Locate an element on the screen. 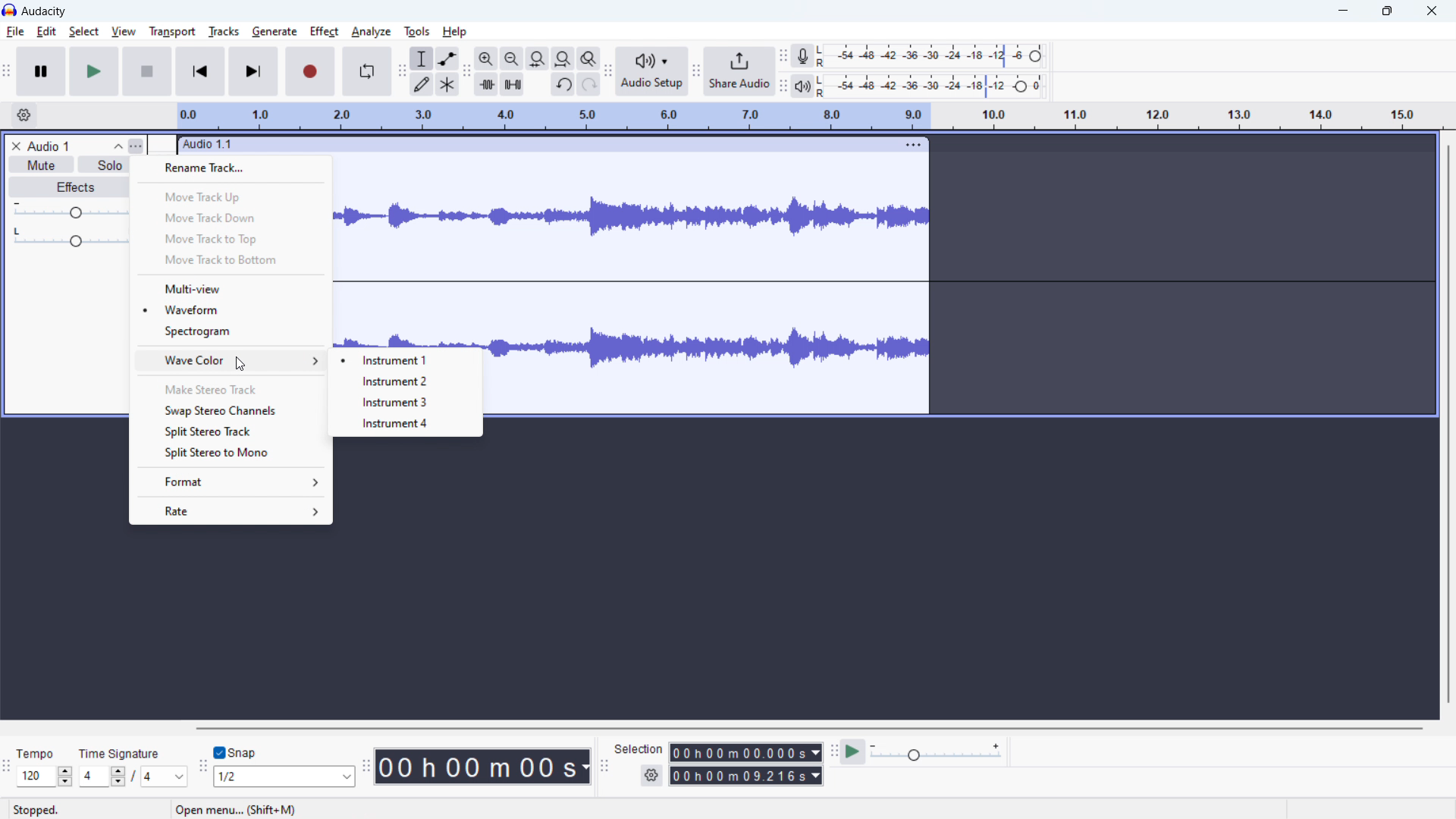 This screenshot has width=1456, height=819. generate is located at coordinates (275, 32).